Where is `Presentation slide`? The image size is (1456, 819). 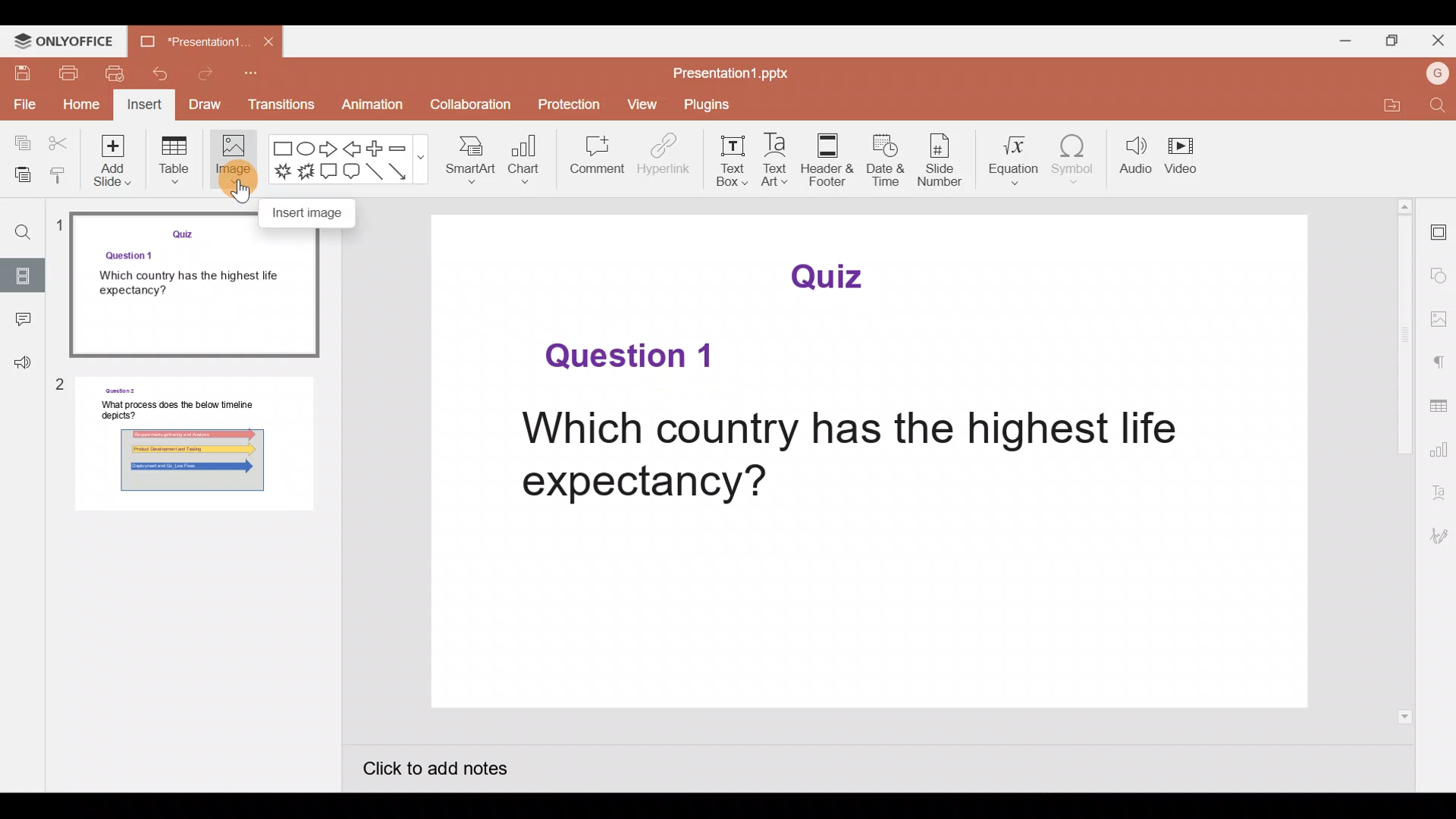
Presentation slide is located at coordinates (869, 618).